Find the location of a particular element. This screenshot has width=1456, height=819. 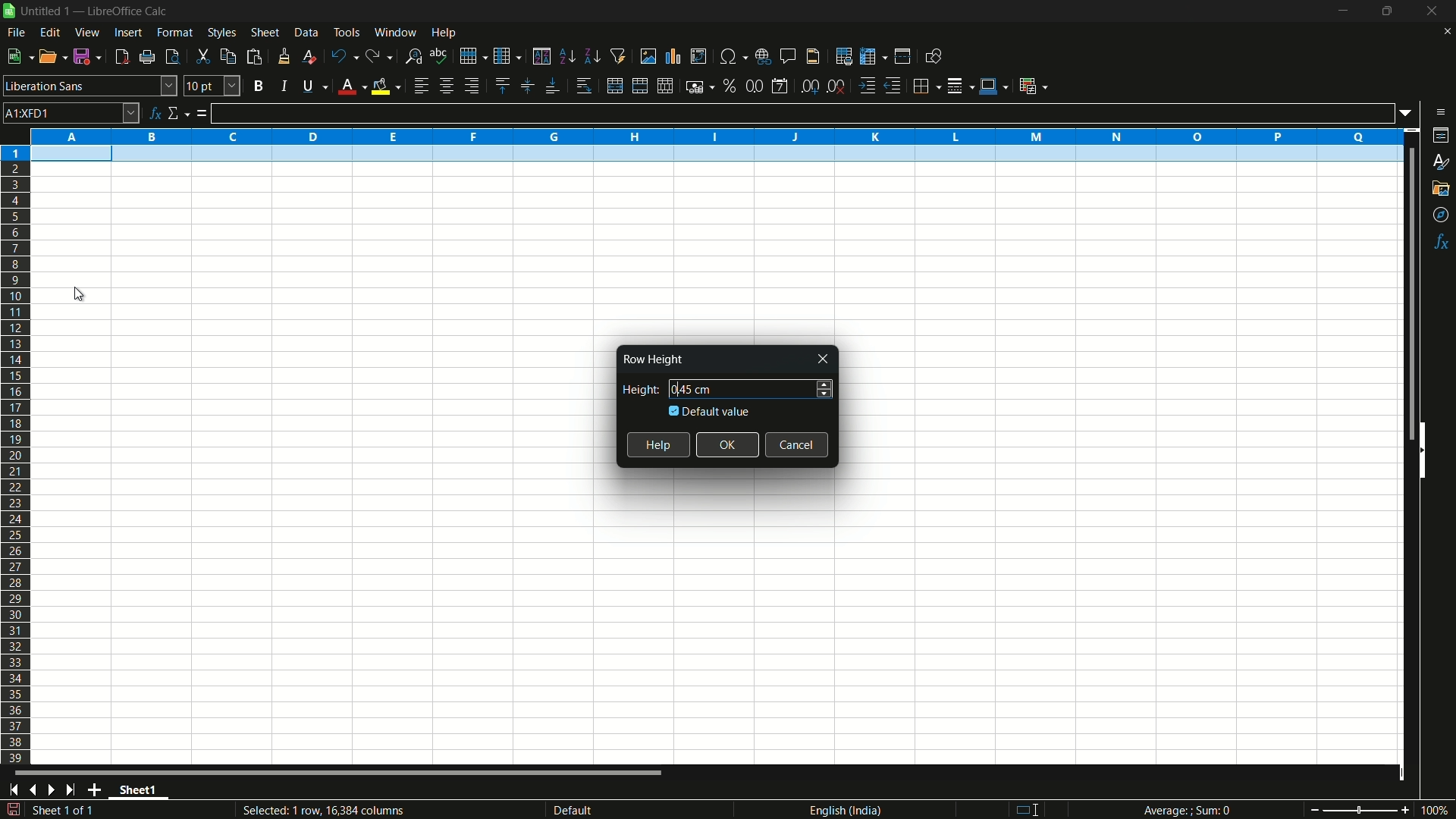

formula input options is located at coordinates (1410, 112).